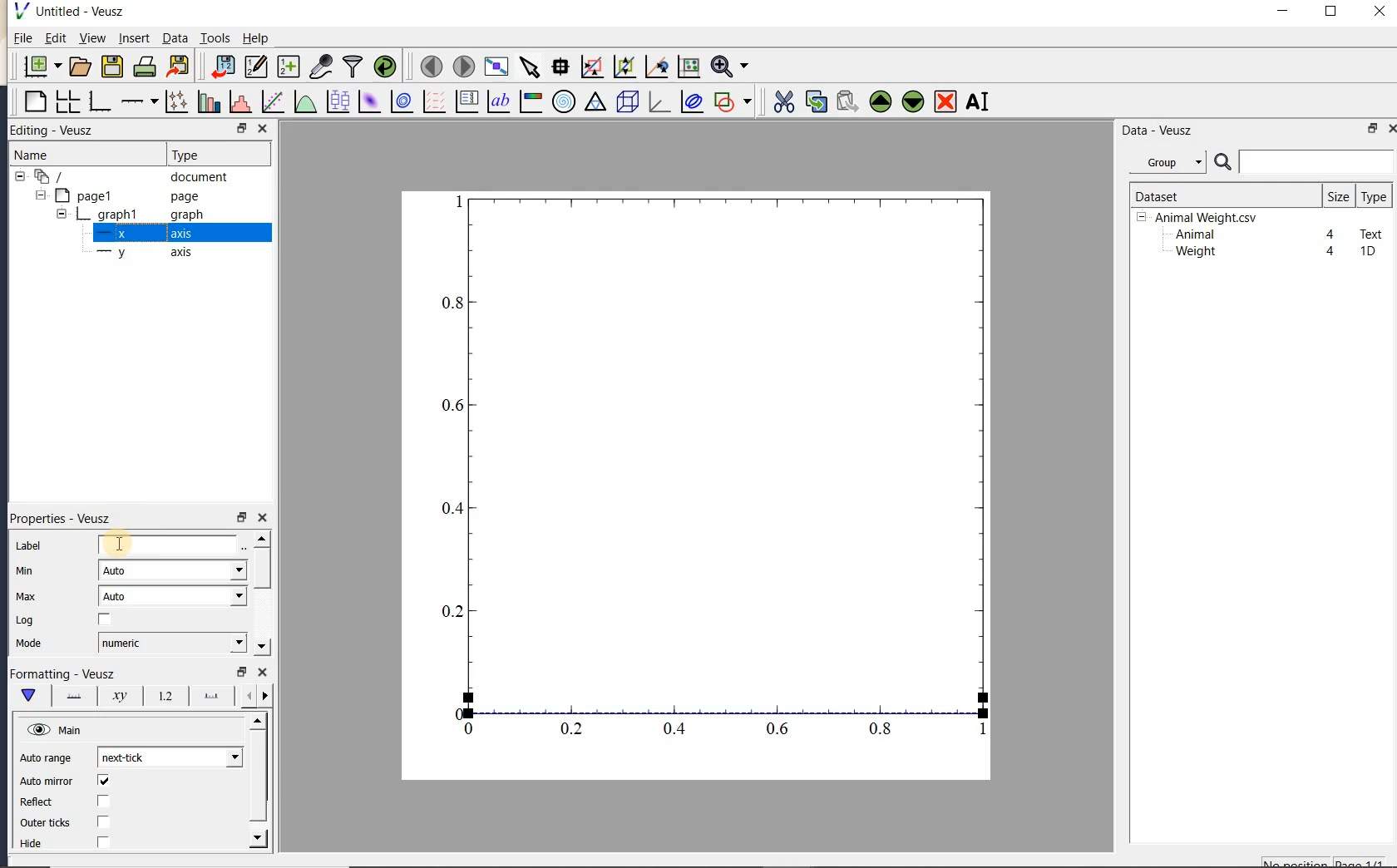 The height and width of the screenshot is (868, 1397). Describe the element at coordinates (272, 101) in the screenshot. I see `fit a function to data` at that location.